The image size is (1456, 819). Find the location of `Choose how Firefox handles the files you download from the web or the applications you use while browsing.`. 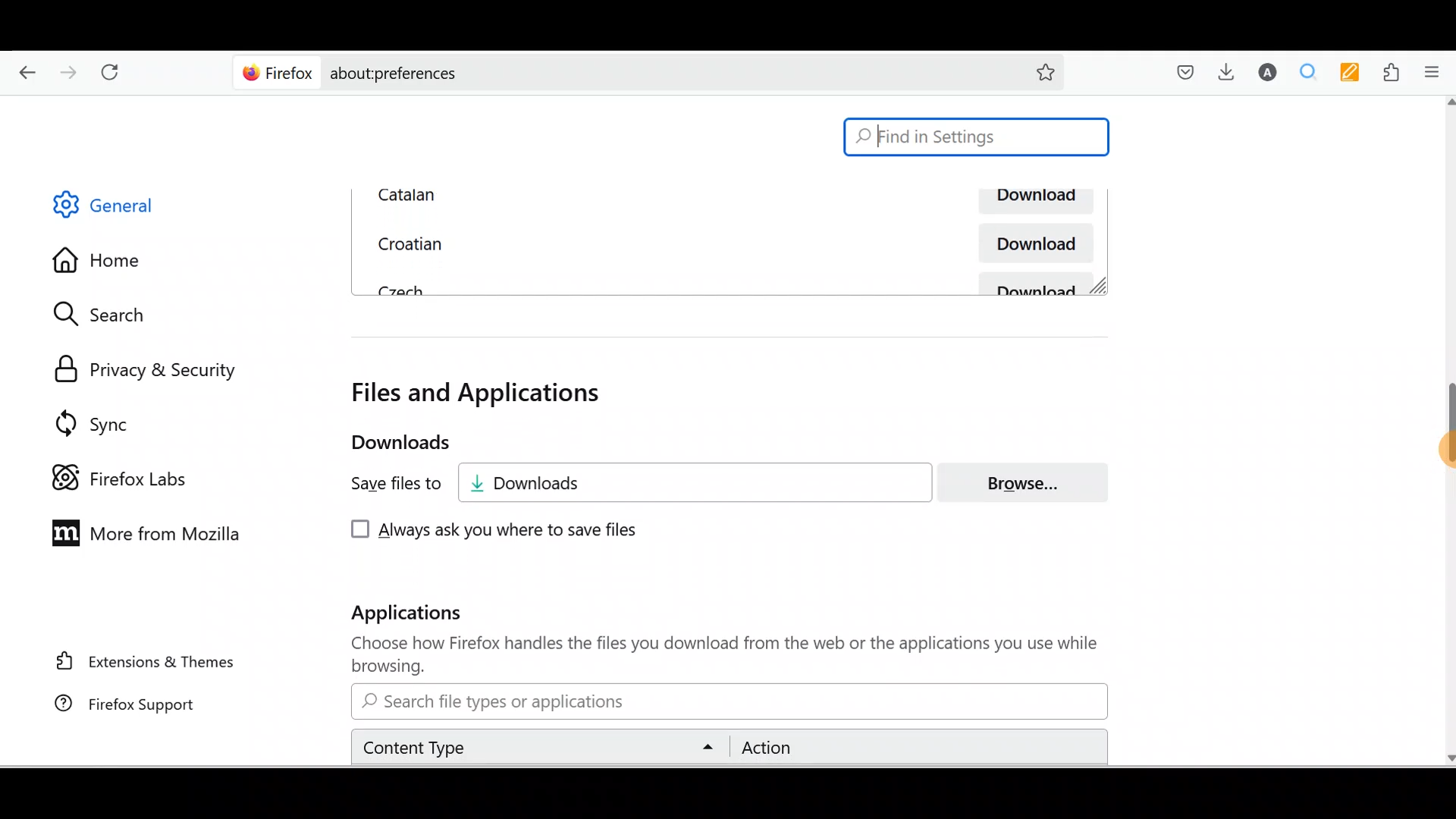

Choose how Firefox handles the files you download from the web or the applications you use while browsing. is located at coordinates (714, 655).